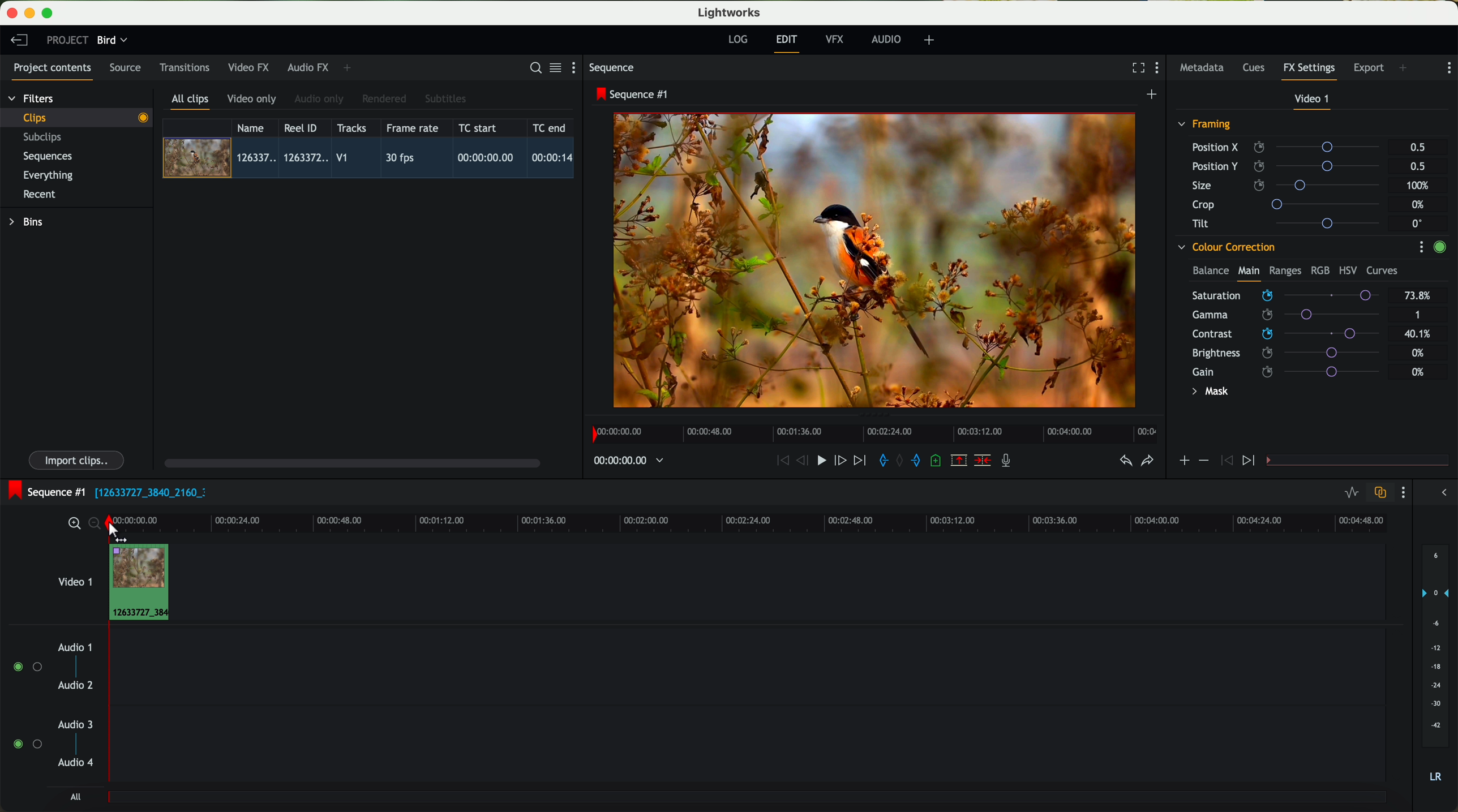 Image resolution: width=1458 pixels, height=812 pixels. What do you see at coordinates (1378, 493) in the screenshot?
I see `toggle auto track sync` at bounding box center [1378, 493].